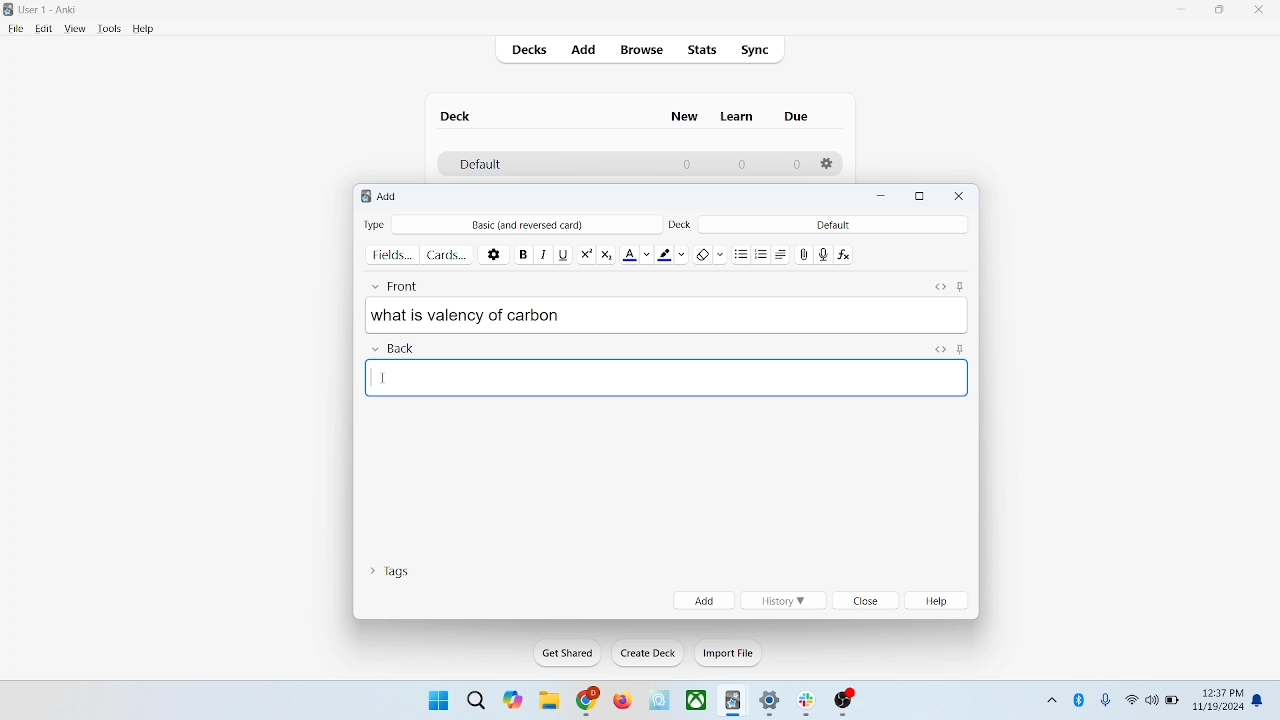 The height and width of the screenshot is (720, 1280). I want to click on unordered list, so click(741, 253).